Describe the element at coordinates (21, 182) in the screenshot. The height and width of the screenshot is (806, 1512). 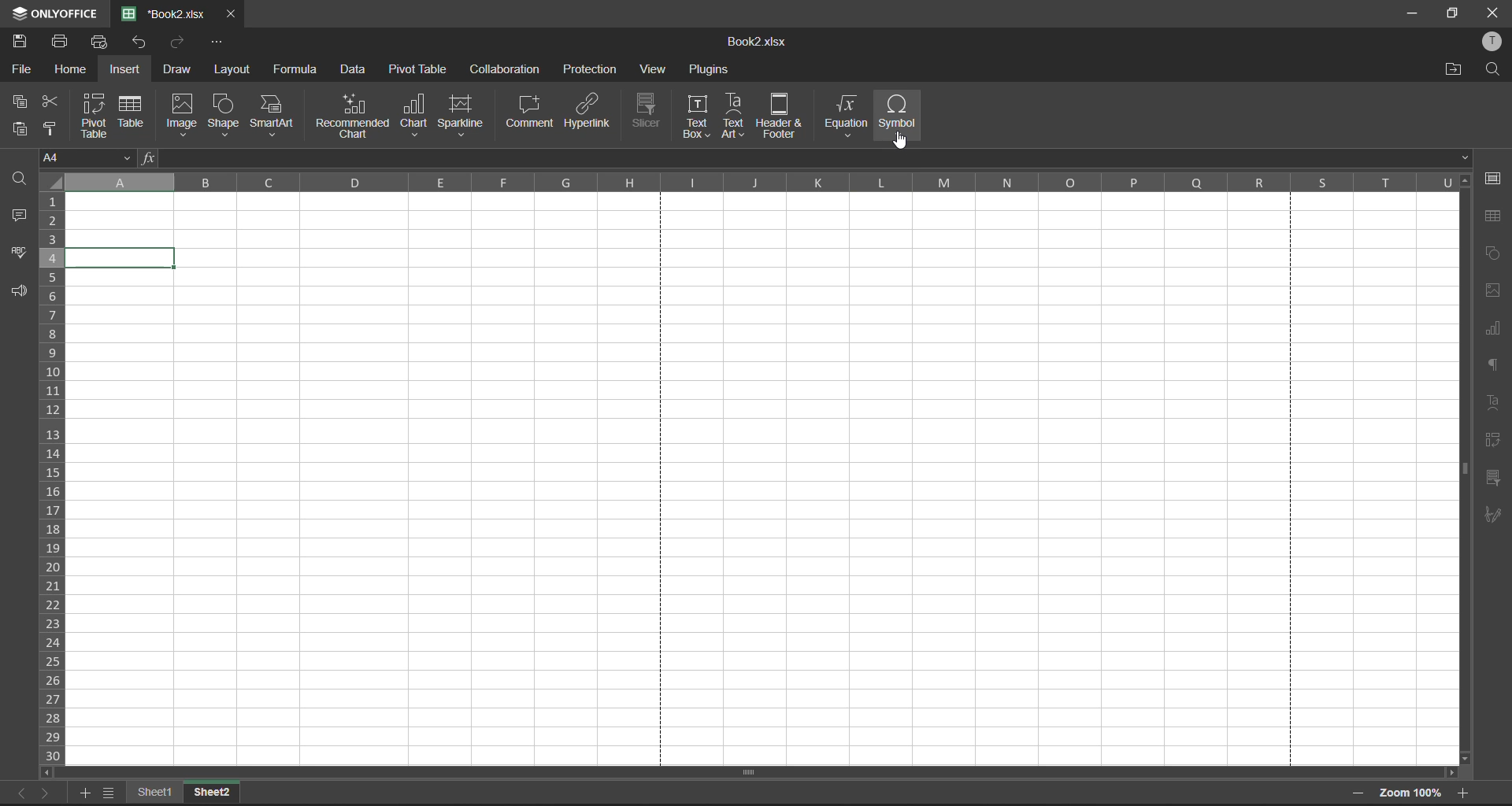
I see `find` at that location.